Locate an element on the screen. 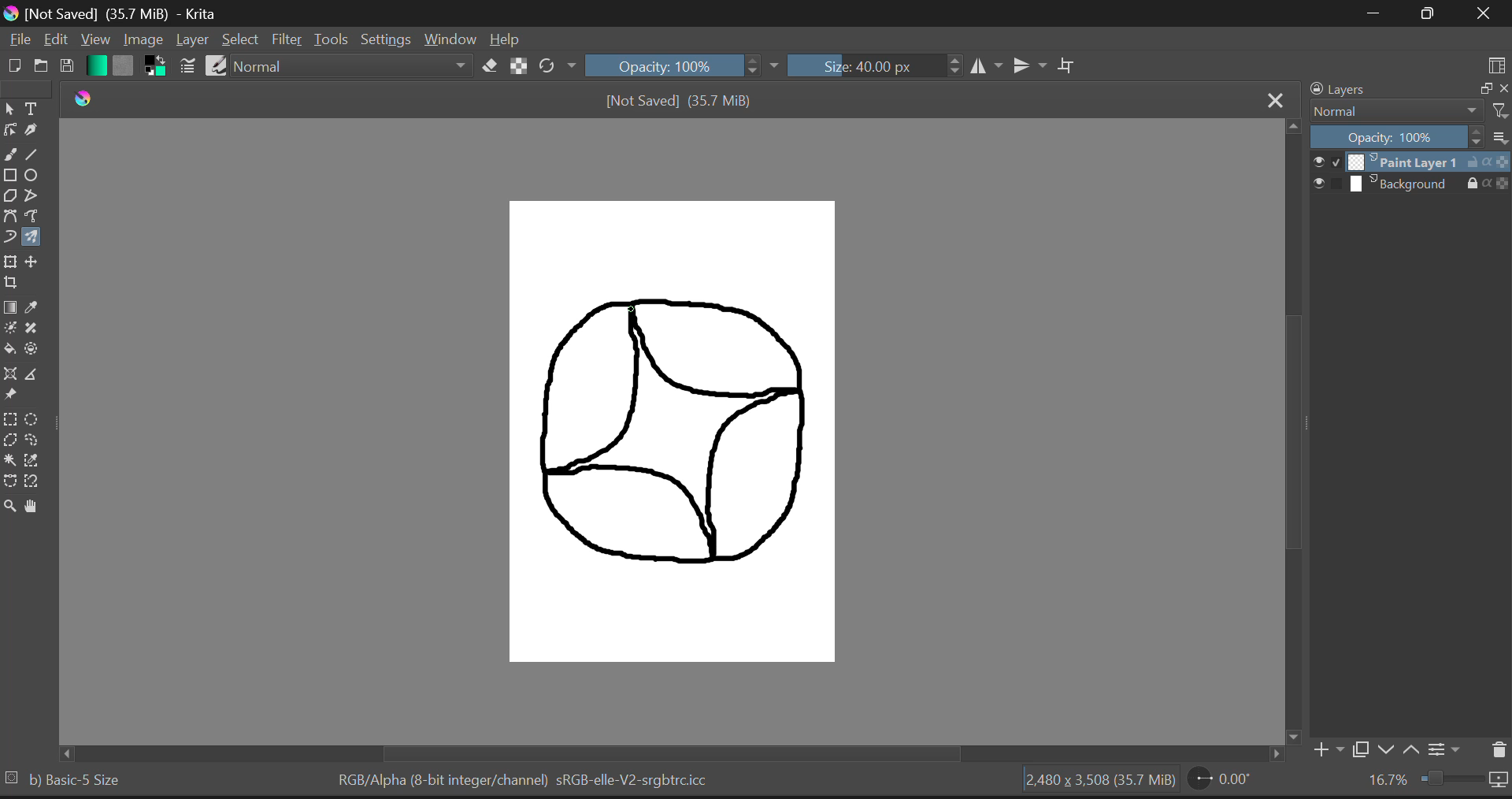  File is located at coordinates (18, 42).